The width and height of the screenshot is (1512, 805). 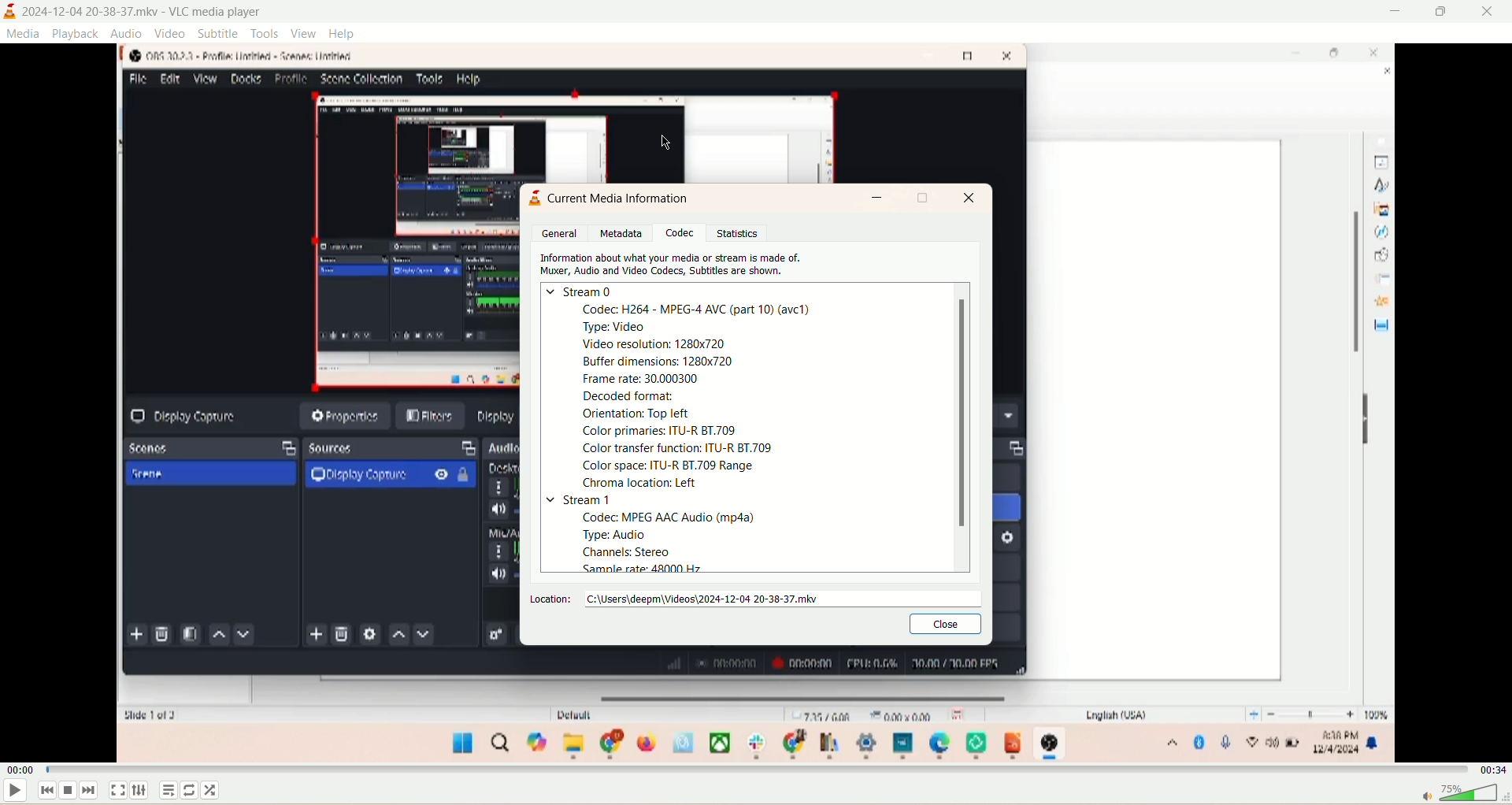 What do you see at coordinates (117, 790) in the screenshot?
I see `full screen` at bounding box center [117, 790].